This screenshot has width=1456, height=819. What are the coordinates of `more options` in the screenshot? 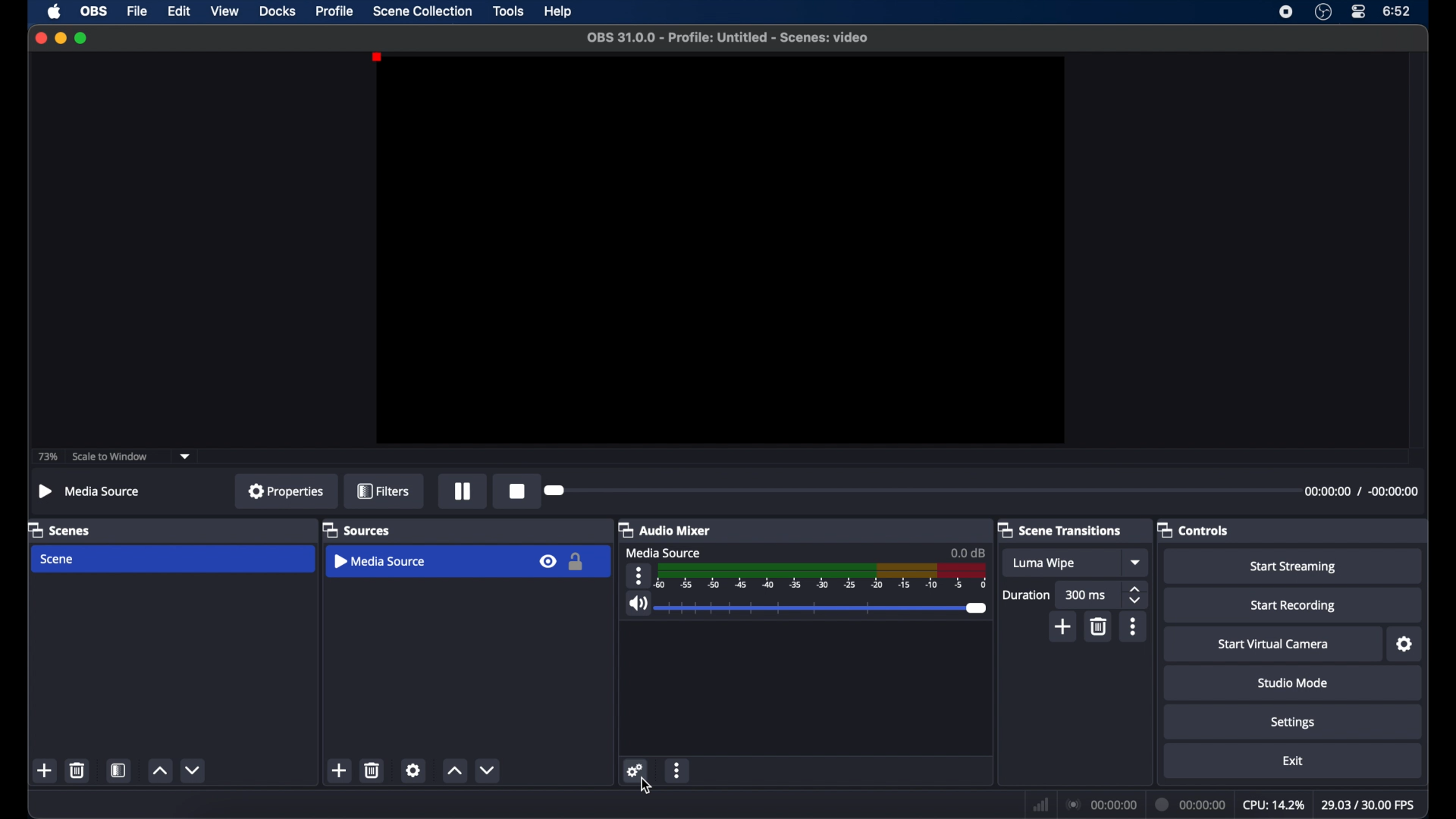 It's located at (1133, 626).